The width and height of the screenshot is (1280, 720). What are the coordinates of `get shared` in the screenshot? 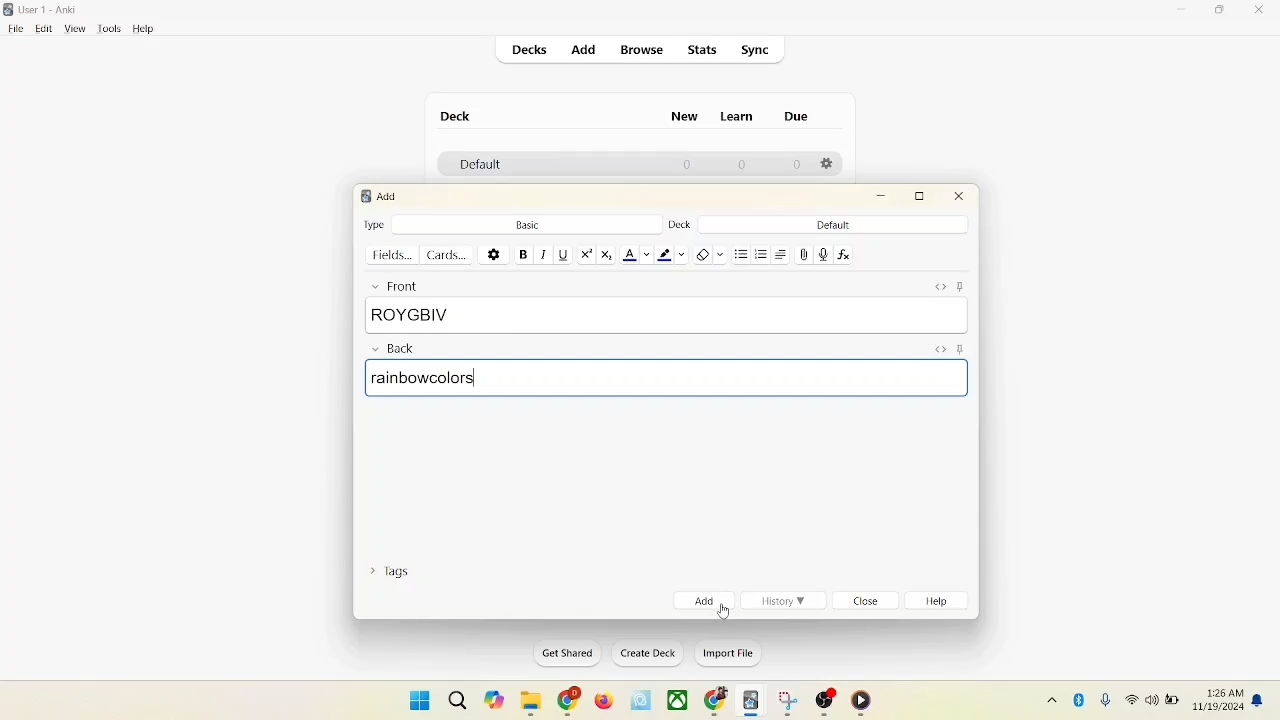 It's located at (561, 653).